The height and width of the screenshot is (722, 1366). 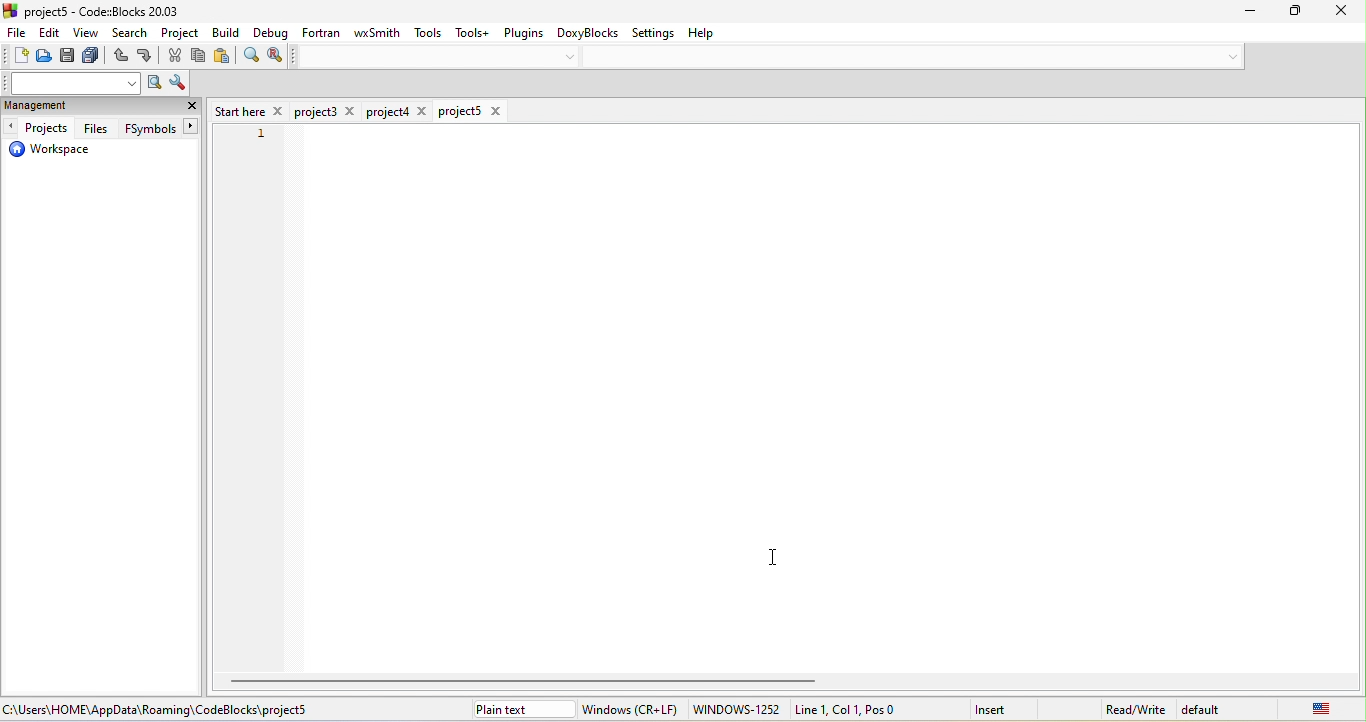 What do you see at coordinates (327, 112) in the screenshot?
I see `project3` at bounding box center [327, 112].